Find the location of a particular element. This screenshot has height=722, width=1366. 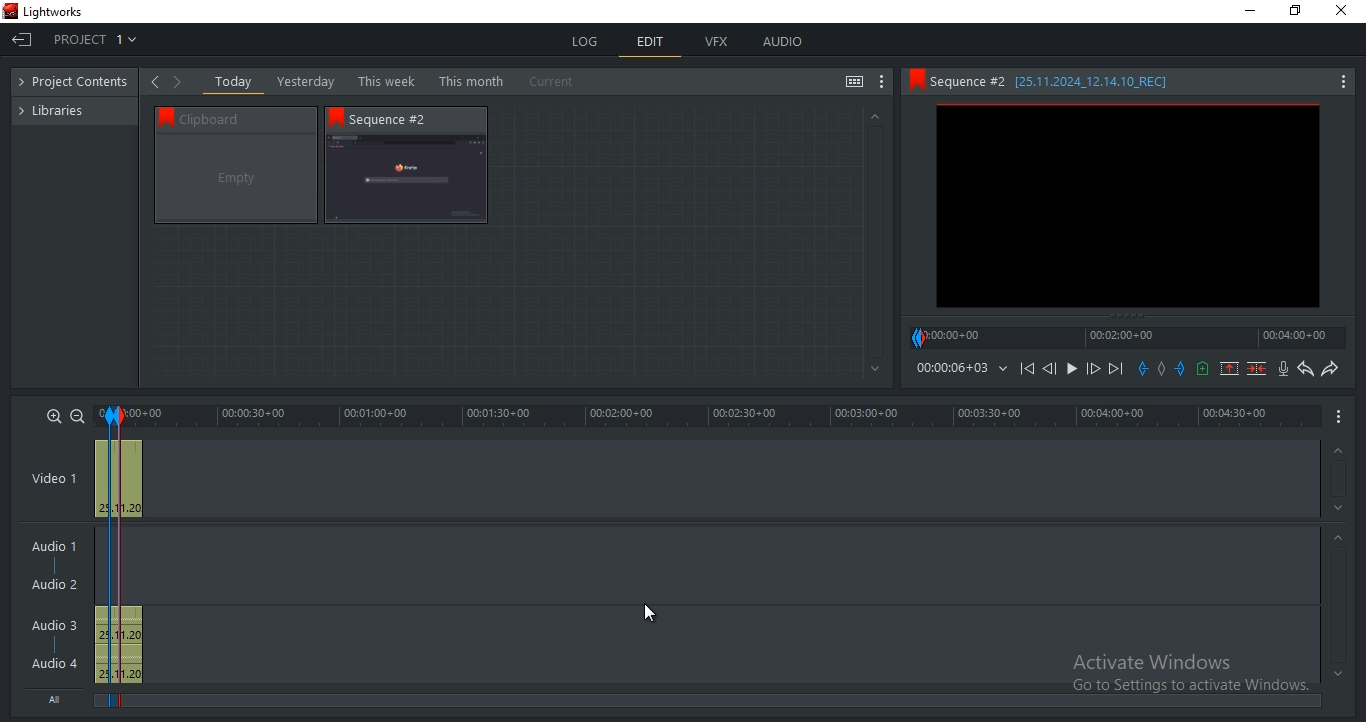

Bookmark icon is located at coordinates (336, 117).